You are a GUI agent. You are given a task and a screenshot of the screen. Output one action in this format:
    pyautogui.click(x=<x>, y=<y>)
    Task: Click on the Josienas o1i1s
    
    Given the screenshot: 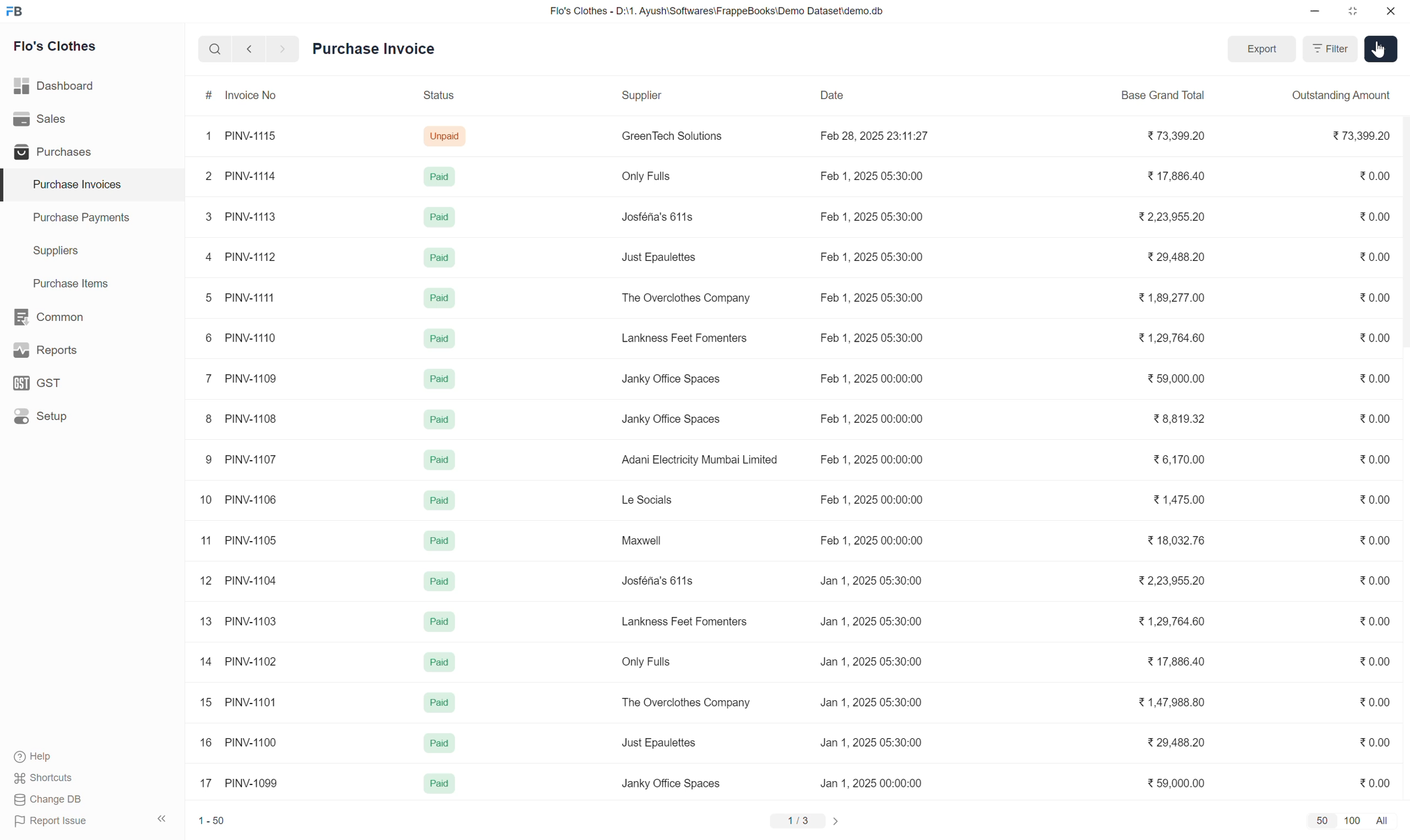 What is the action you would take?
    pyautogui.click(x=660, y=583)
    